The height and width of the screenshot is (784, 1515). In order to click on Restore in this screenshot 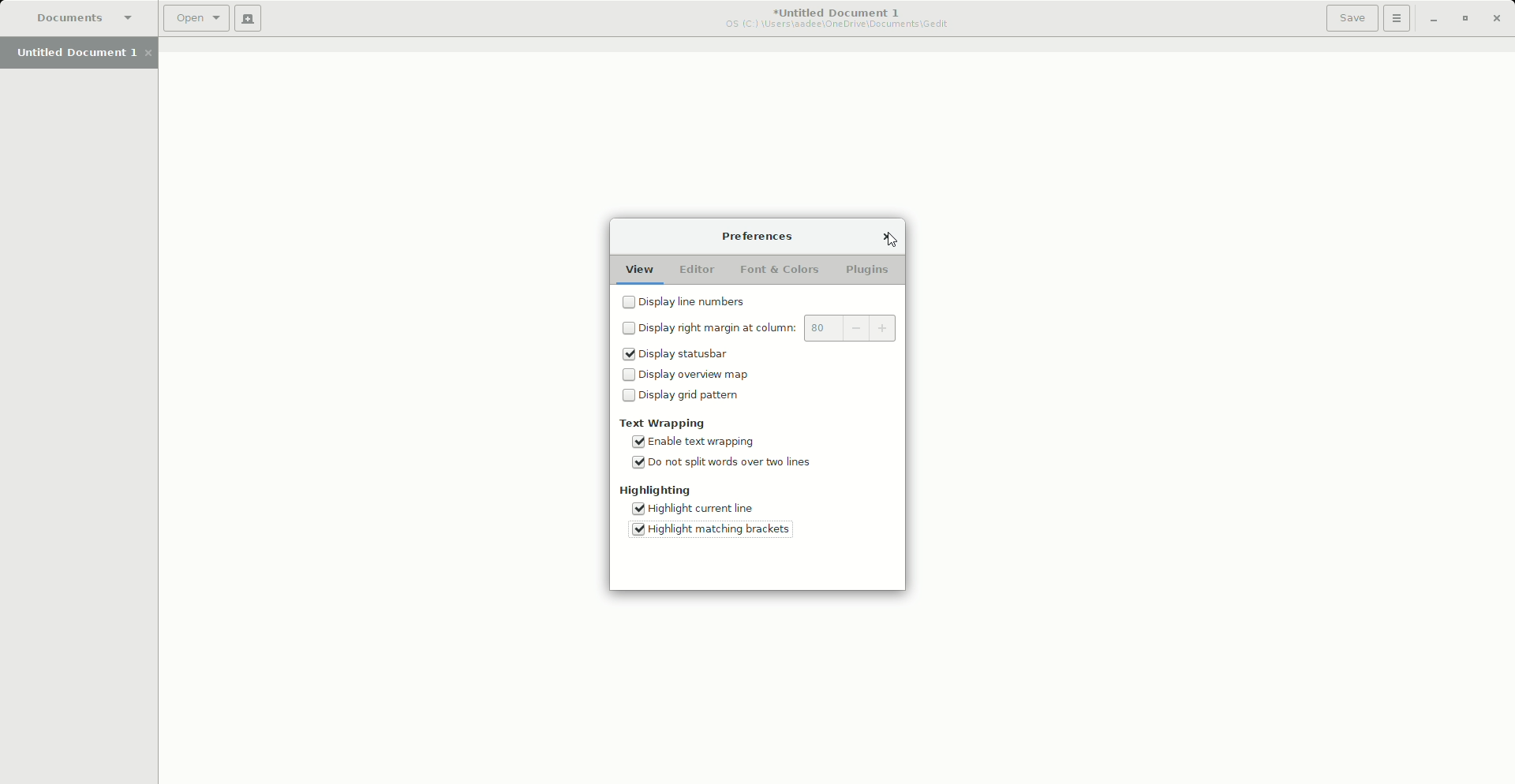, I will do `click(1464, 18)`.